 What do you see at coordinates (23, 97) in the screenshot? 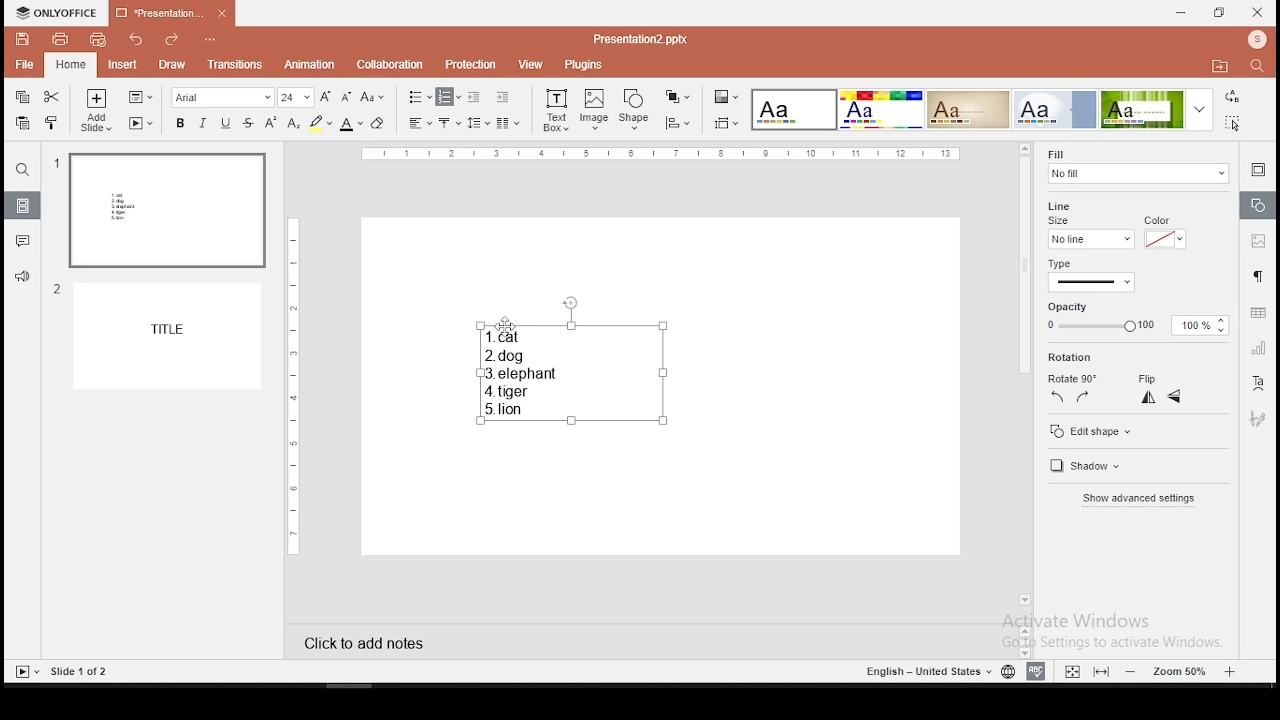
I see `copy` at bounding box center [23, 97].